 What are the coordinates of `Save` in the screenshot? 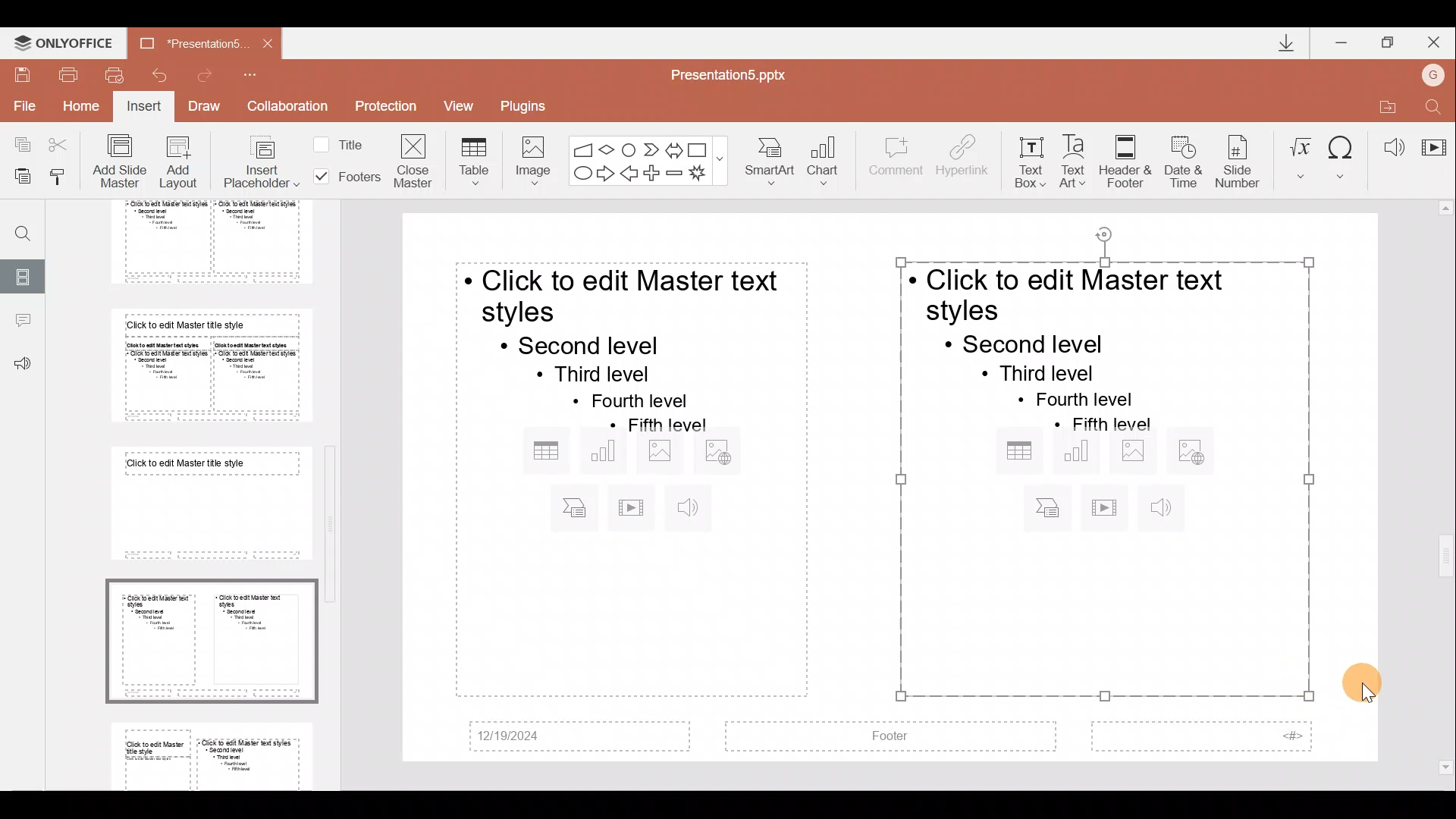 It's located at (23, 73).